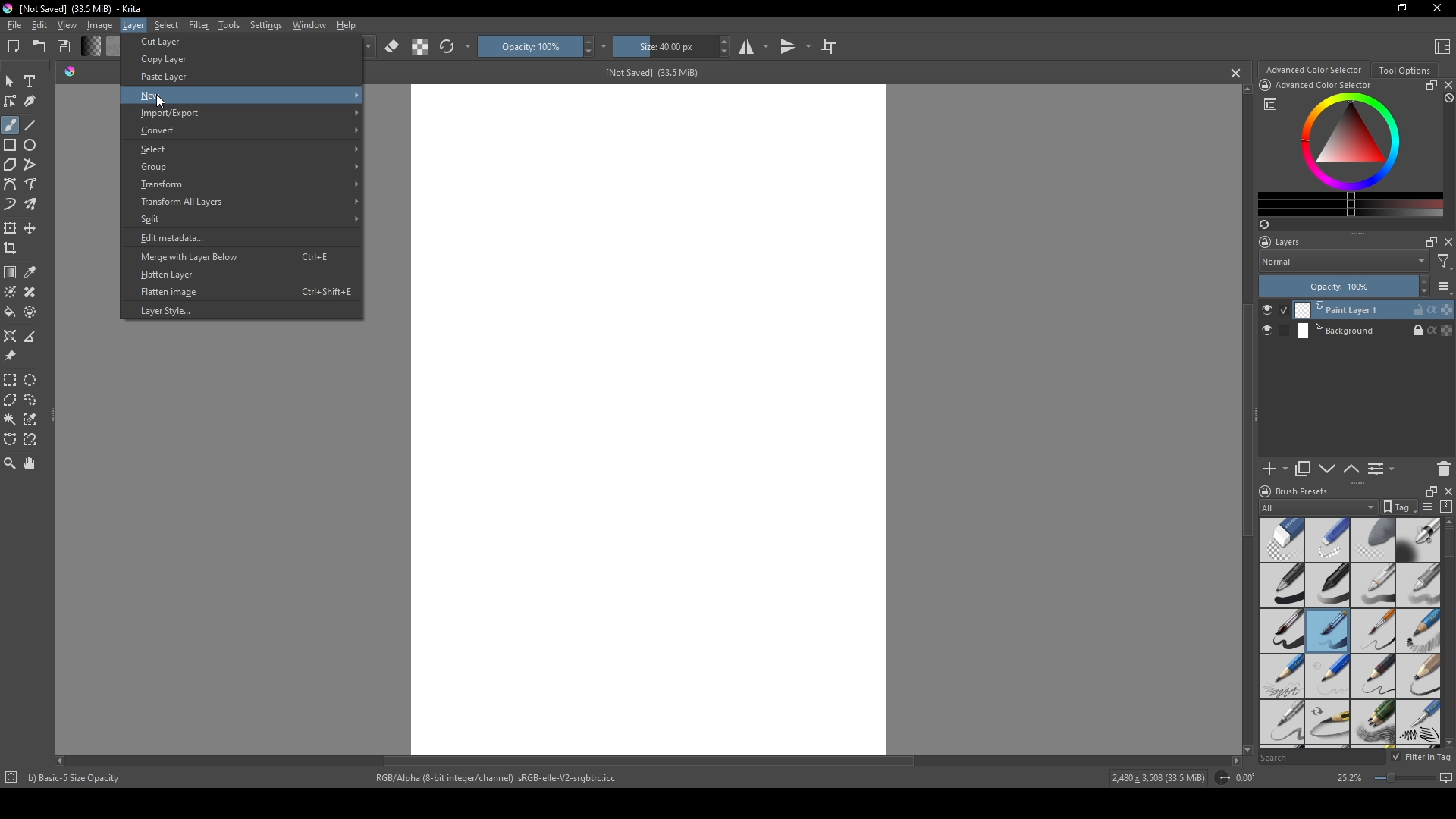 This screenshot has width=1456, height=819. Describe the element at coordinates (1280, 676) in the screenshot. I see `pencil` at that location.